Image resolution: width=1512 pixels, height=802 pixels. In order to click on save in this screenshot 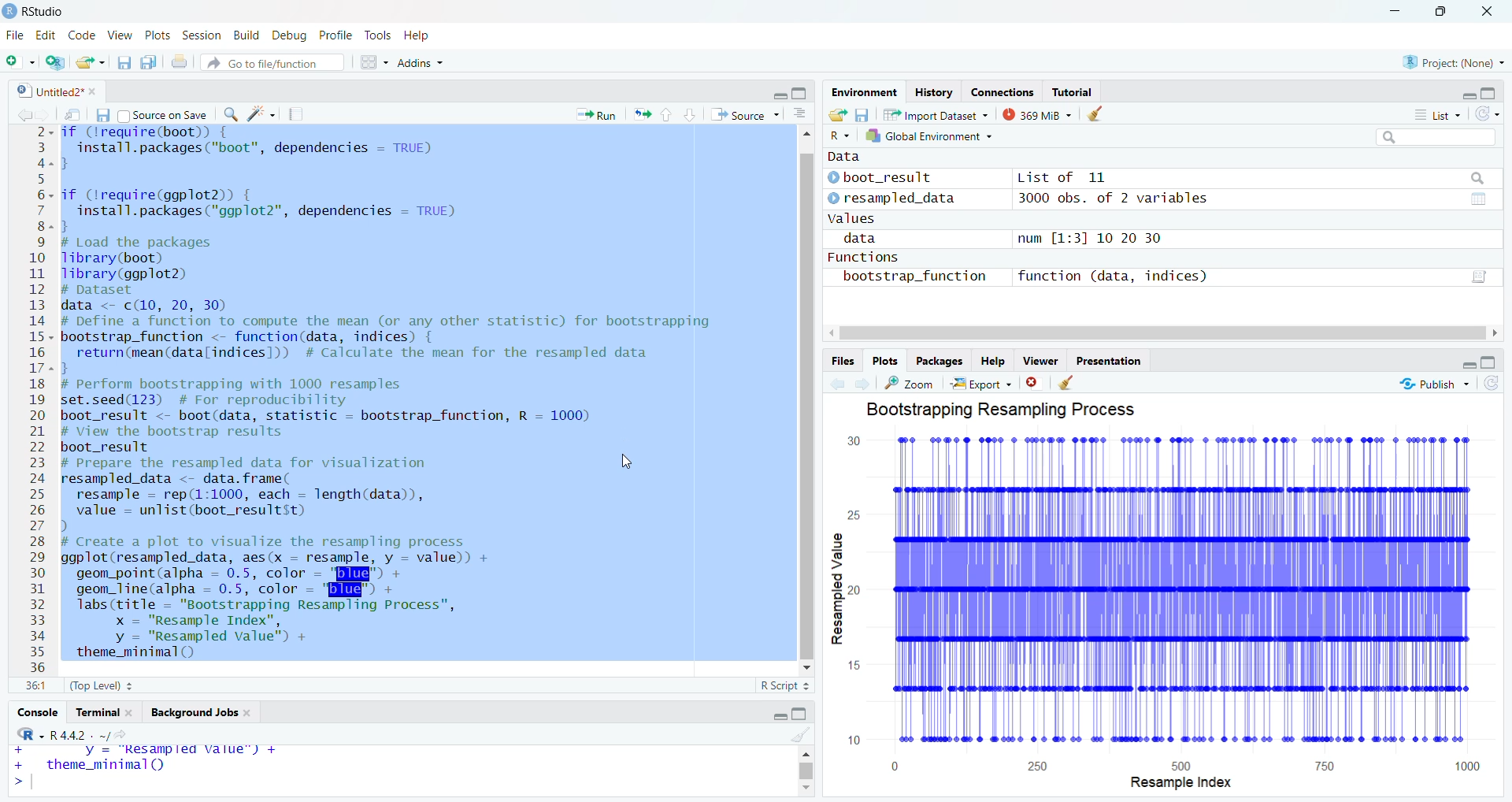, I will do `click(864, 114)`.